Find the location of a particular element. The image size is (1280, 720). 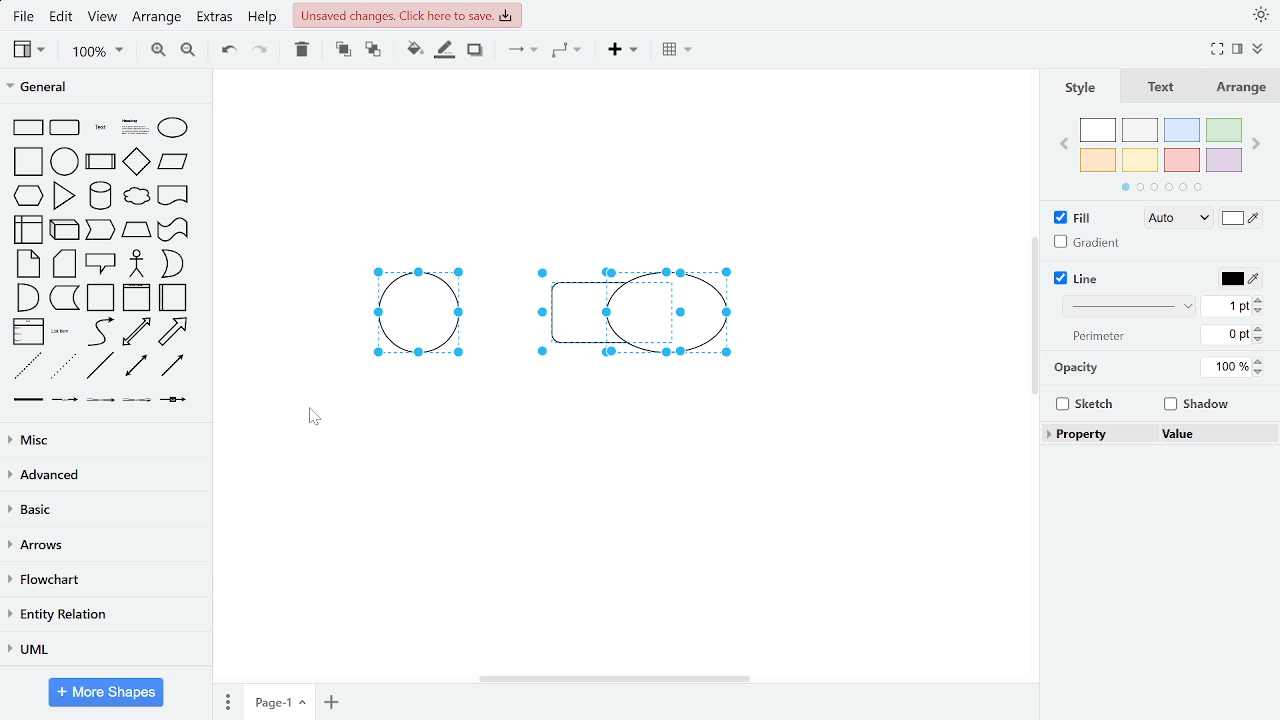

list is located at coordinates (29, 331).